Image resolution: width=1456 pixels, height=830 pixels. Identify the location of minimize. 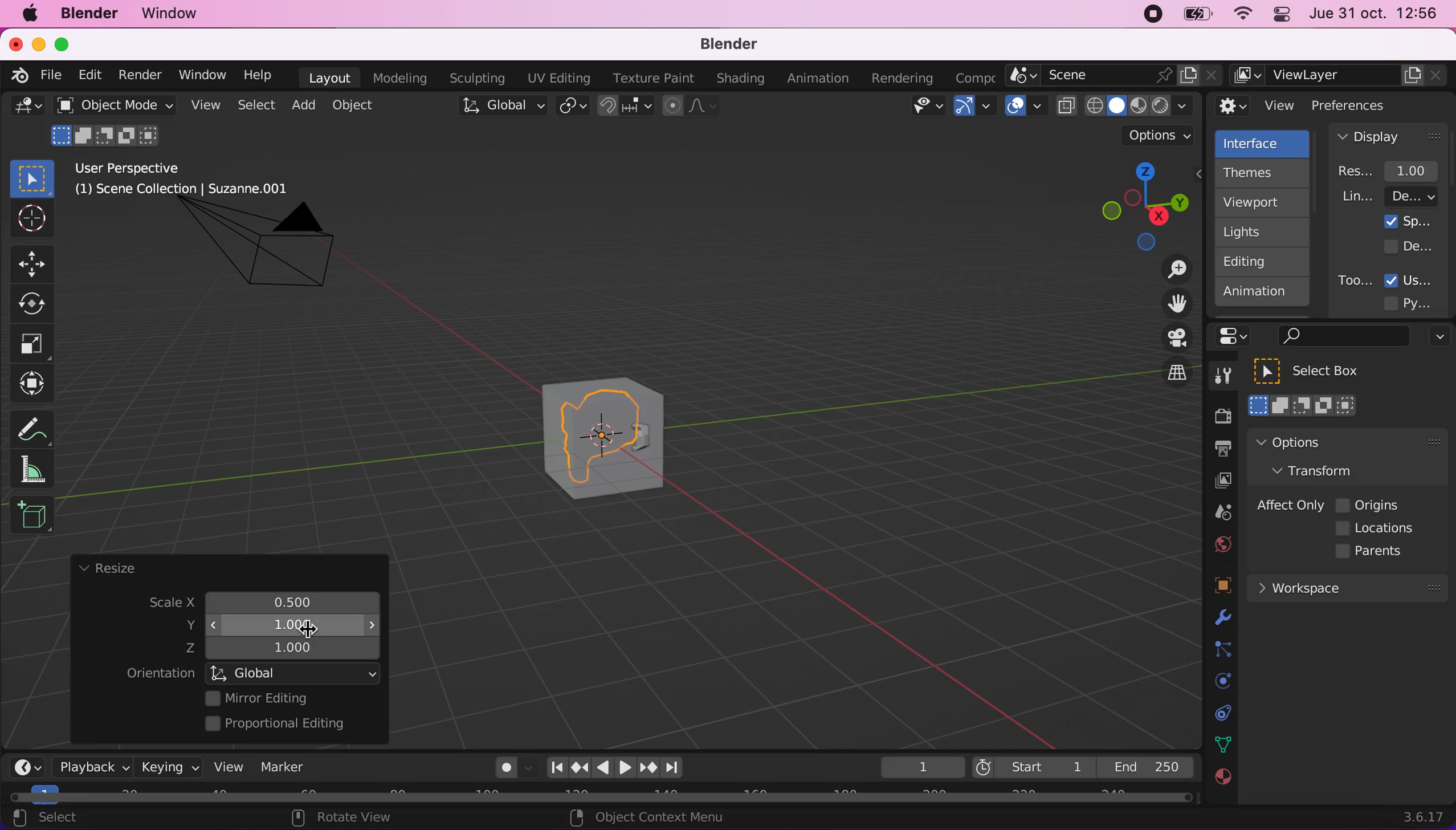
(36, 43).